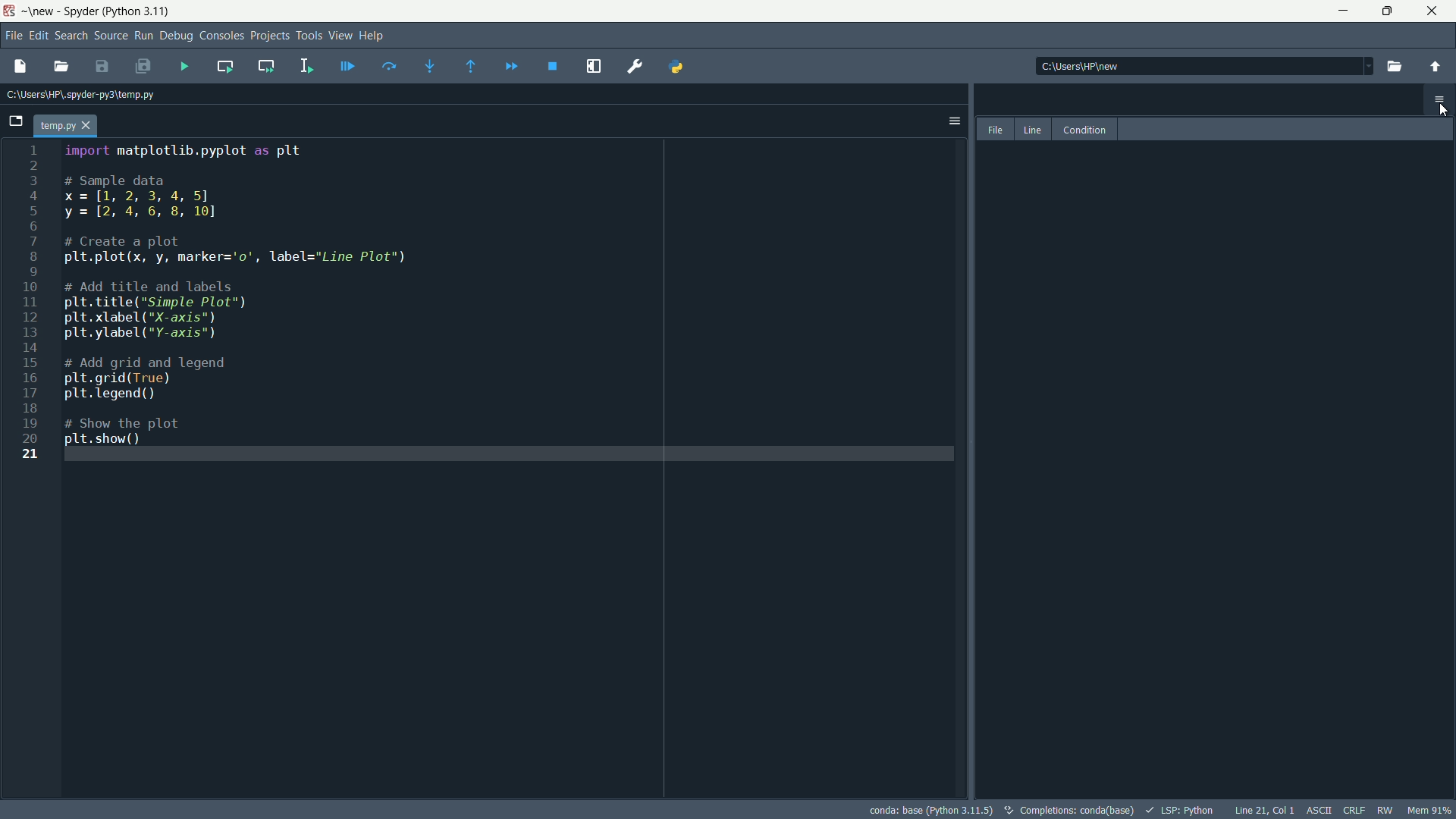  Describe the element at coordinates (268, 33) in the screenshot. I see `project menu` at that location.